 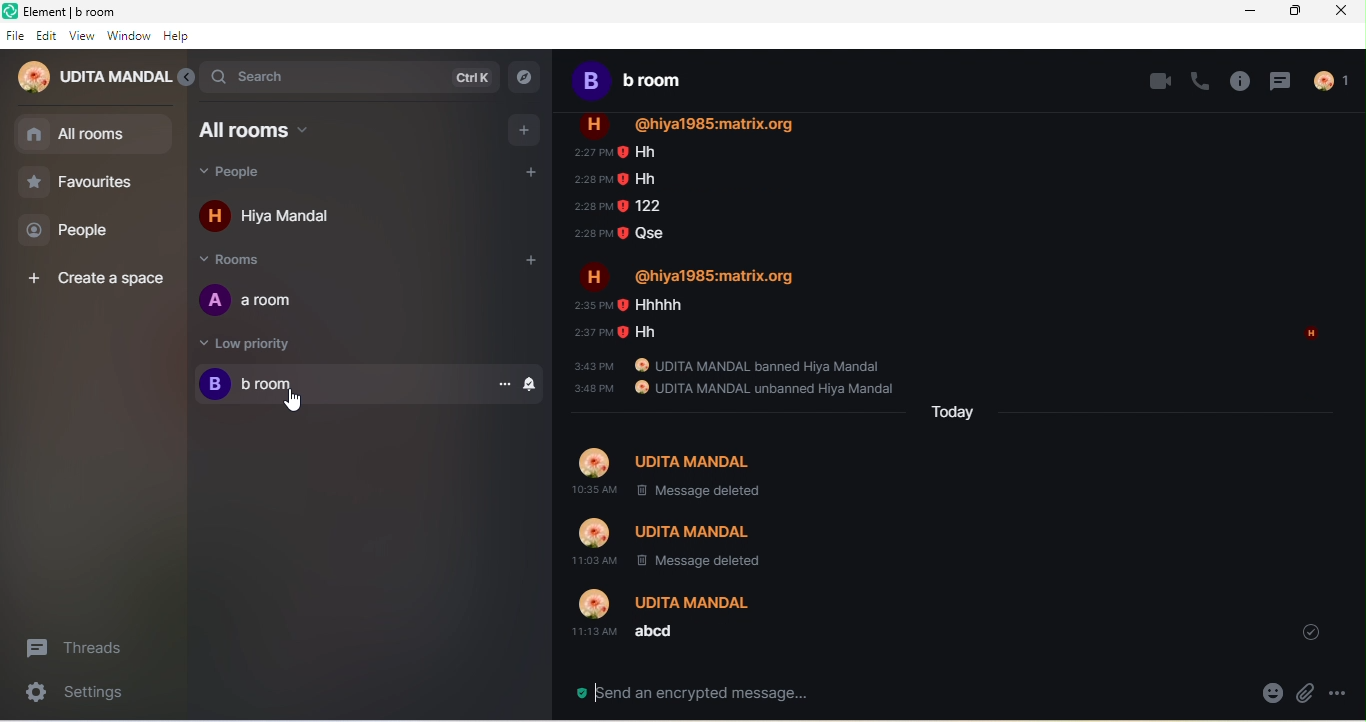 I want to click on body text, so click(x=955, y=381).